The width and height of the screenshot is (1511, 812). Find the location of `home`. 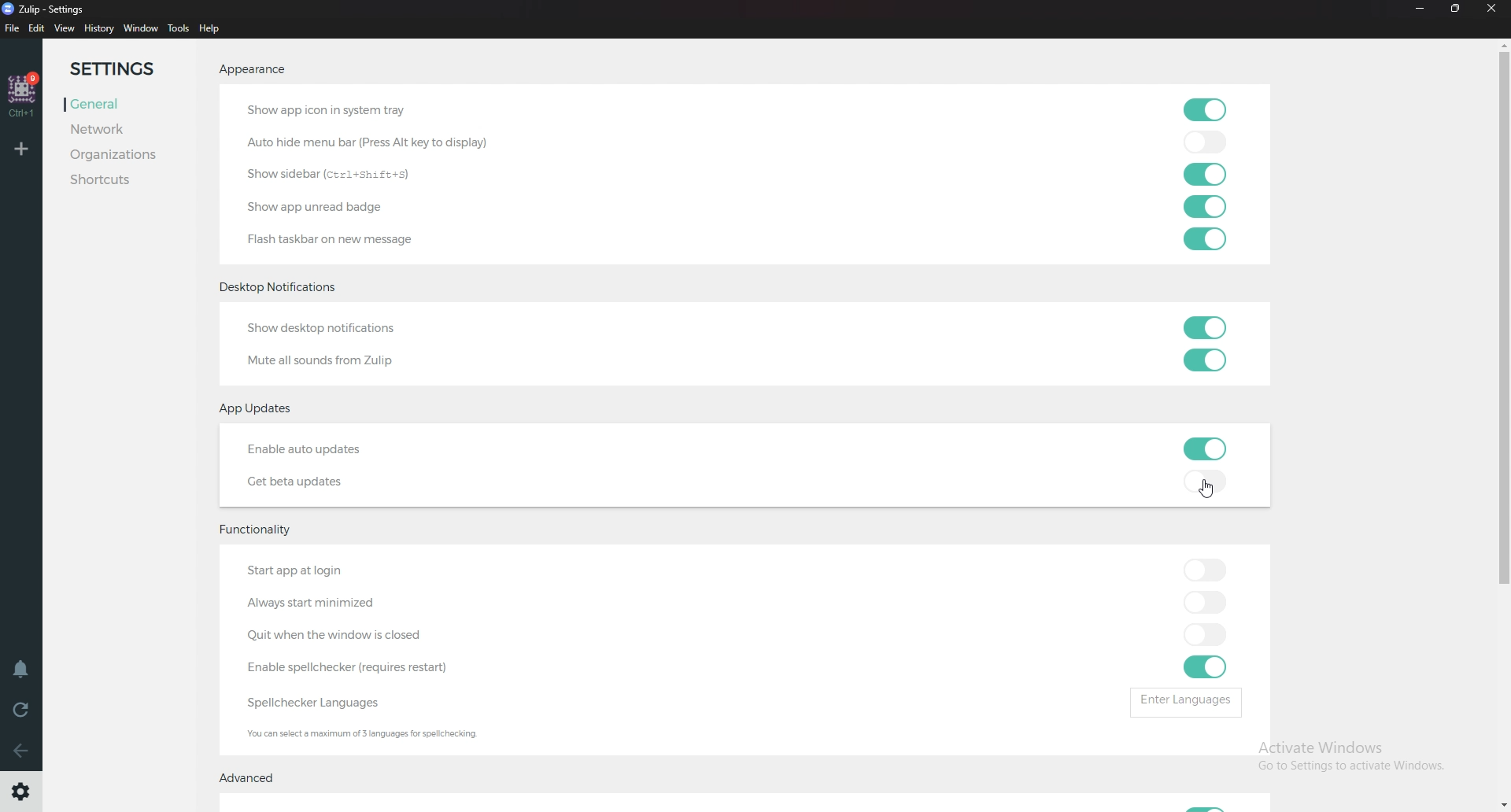

home is located at coordinates (24, 94).